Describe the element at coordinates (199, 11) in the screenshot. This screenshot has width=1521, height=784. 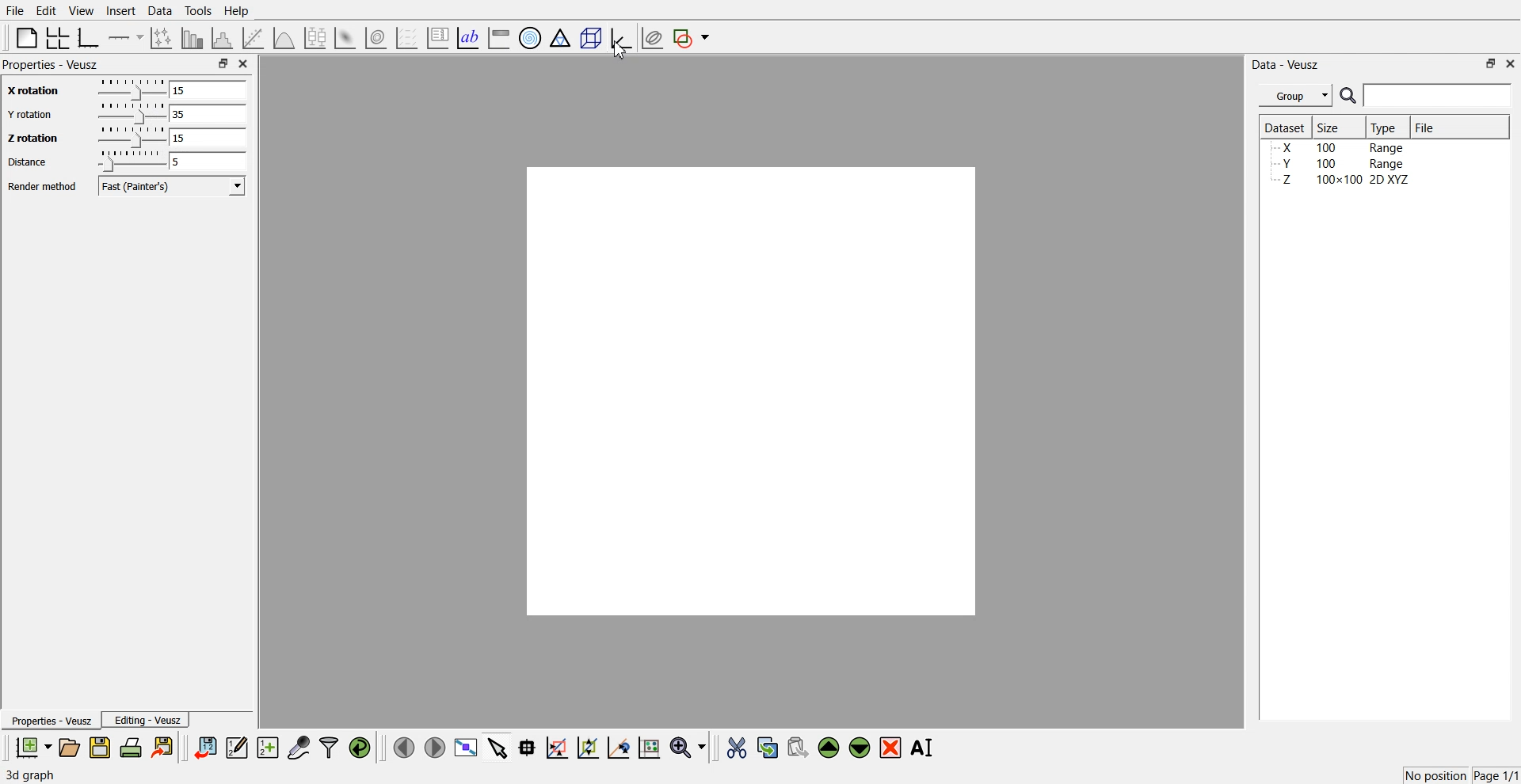
I see `Tools` at that location.